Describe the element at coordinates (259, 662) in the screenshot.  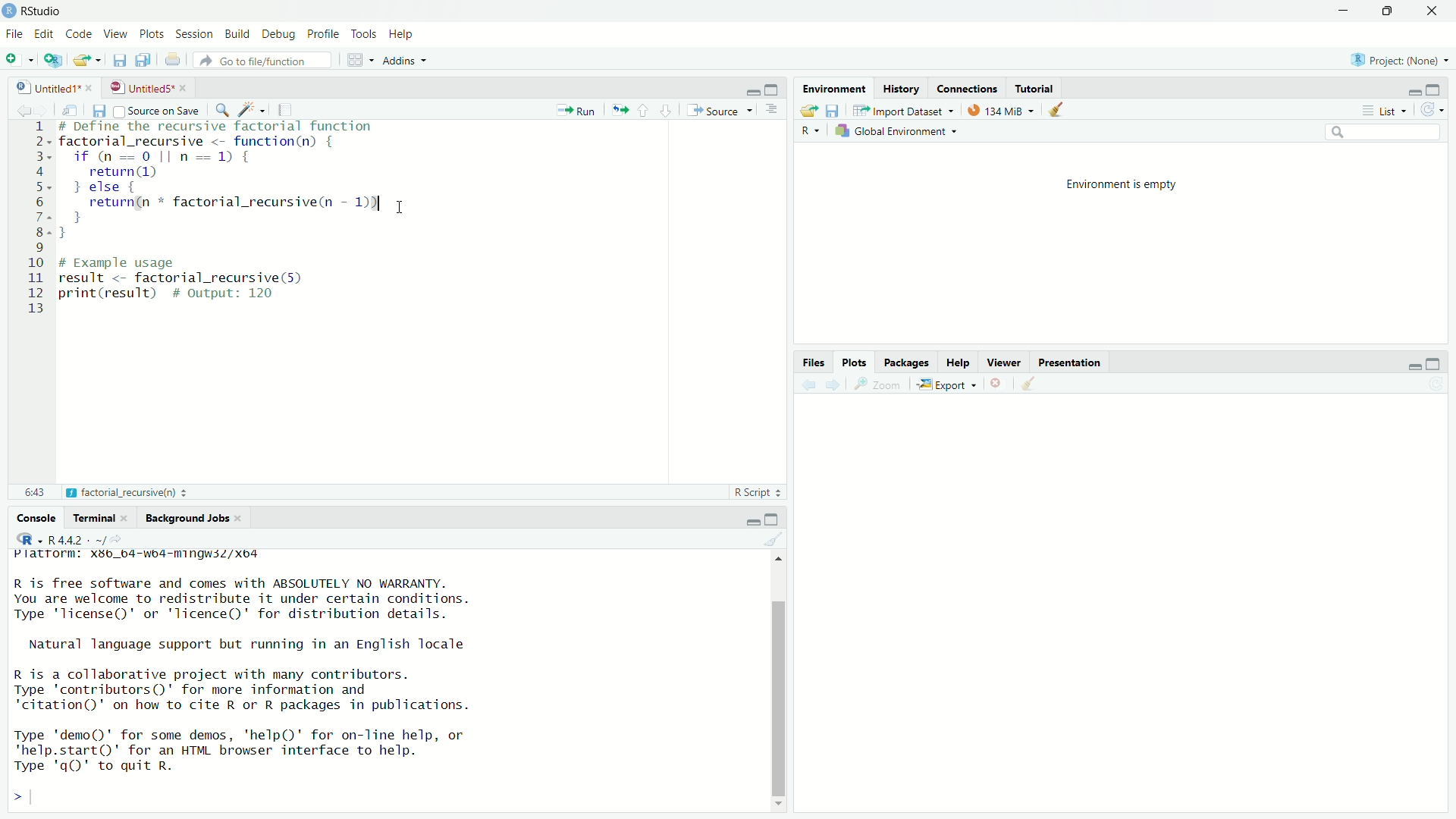
I see `Flatrorm. XxX38b_b4-wo4-mingwsZ/xo4

R is free software and comes with ABSOLUTELY NO WARRANTY.

You are welcome to redistribute it under certain conditions.

Type 'license()' or 'licence(D' for distribution details.
Natural language support but running in an English locale

R is a collaborative project with many contributors.

Type 'contributors()' for more information and

‘citation()' on how to cite R or R packages in publications.

Type 'demo()' for some demos, 'help()' for on-line help, or

'help.start()' for an HTML browser interface to help.

Type 'q()' to quit R.` at that location.